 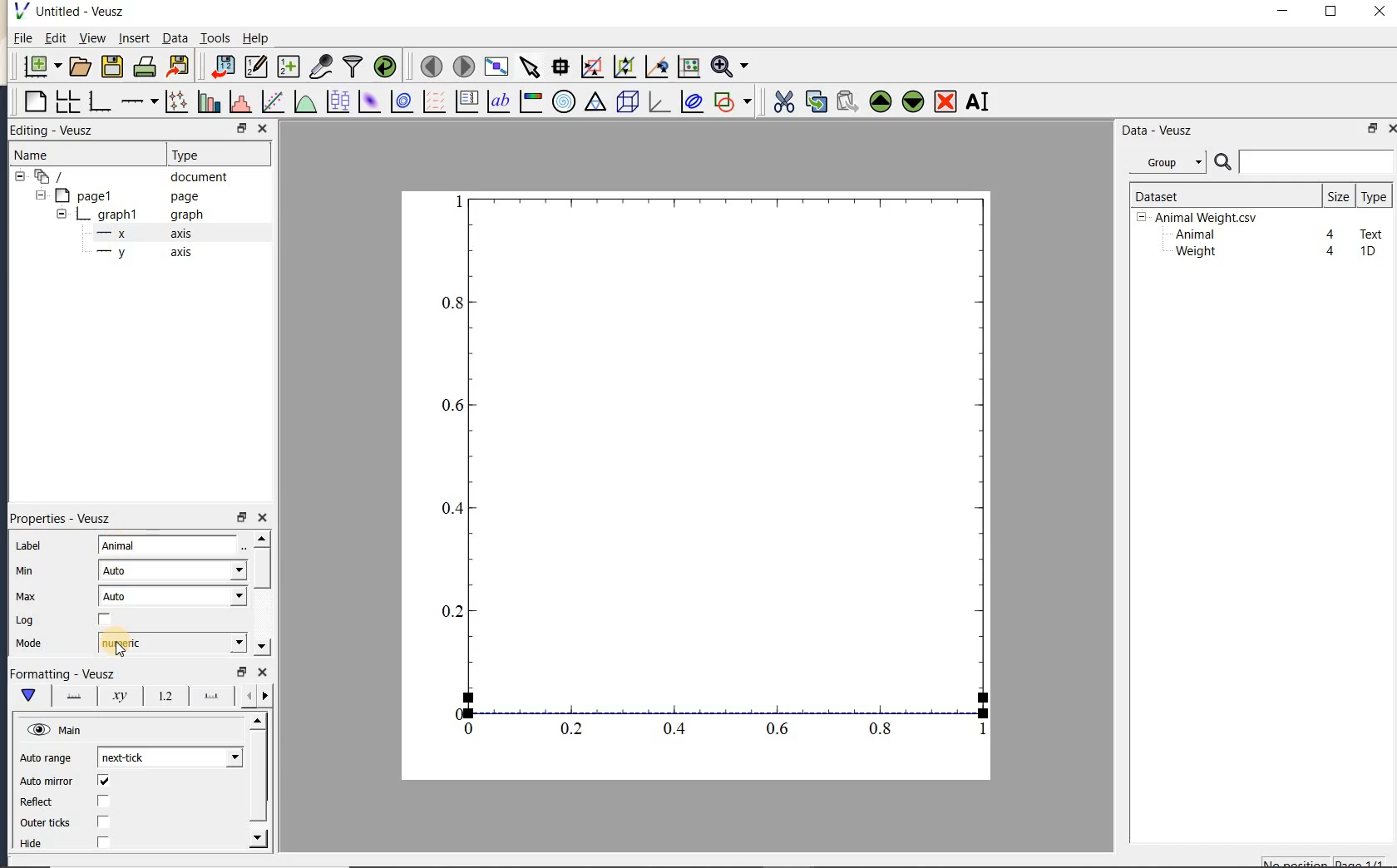 I want to click on restore, so click(x=1374, y=128).